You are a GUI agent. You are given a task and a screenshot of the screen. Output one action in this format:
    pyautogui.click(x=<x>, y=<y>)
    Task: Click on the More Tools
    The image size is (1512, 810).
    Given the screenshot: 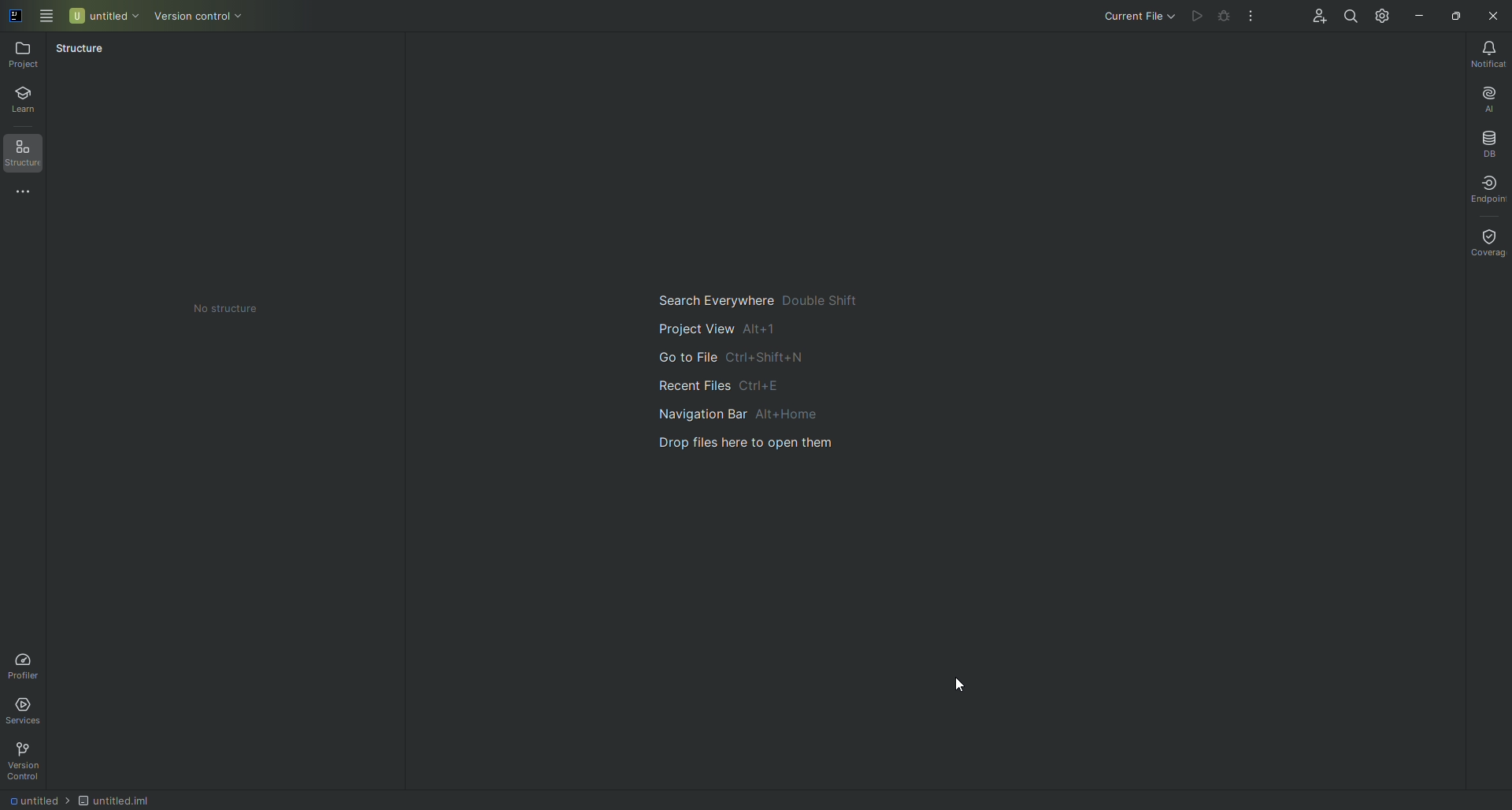 What is the action you would take?
    pyautogui.click(x=28, y=195)
    